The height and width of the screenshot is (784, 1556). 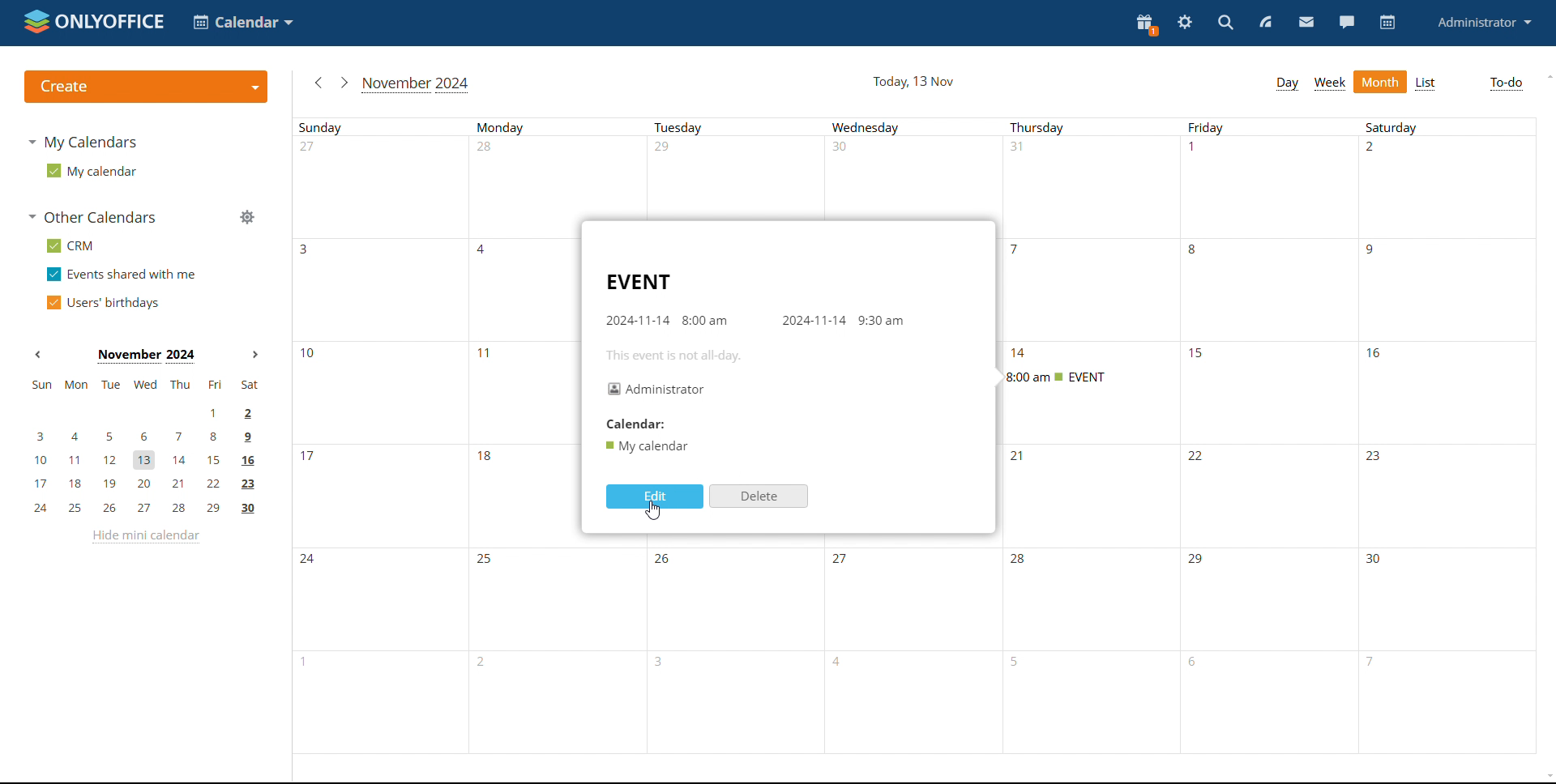 What do you see at coordinates (1269, 488) in the screenshot?
I see `dates of the month` at bounding box center [1269, 488].